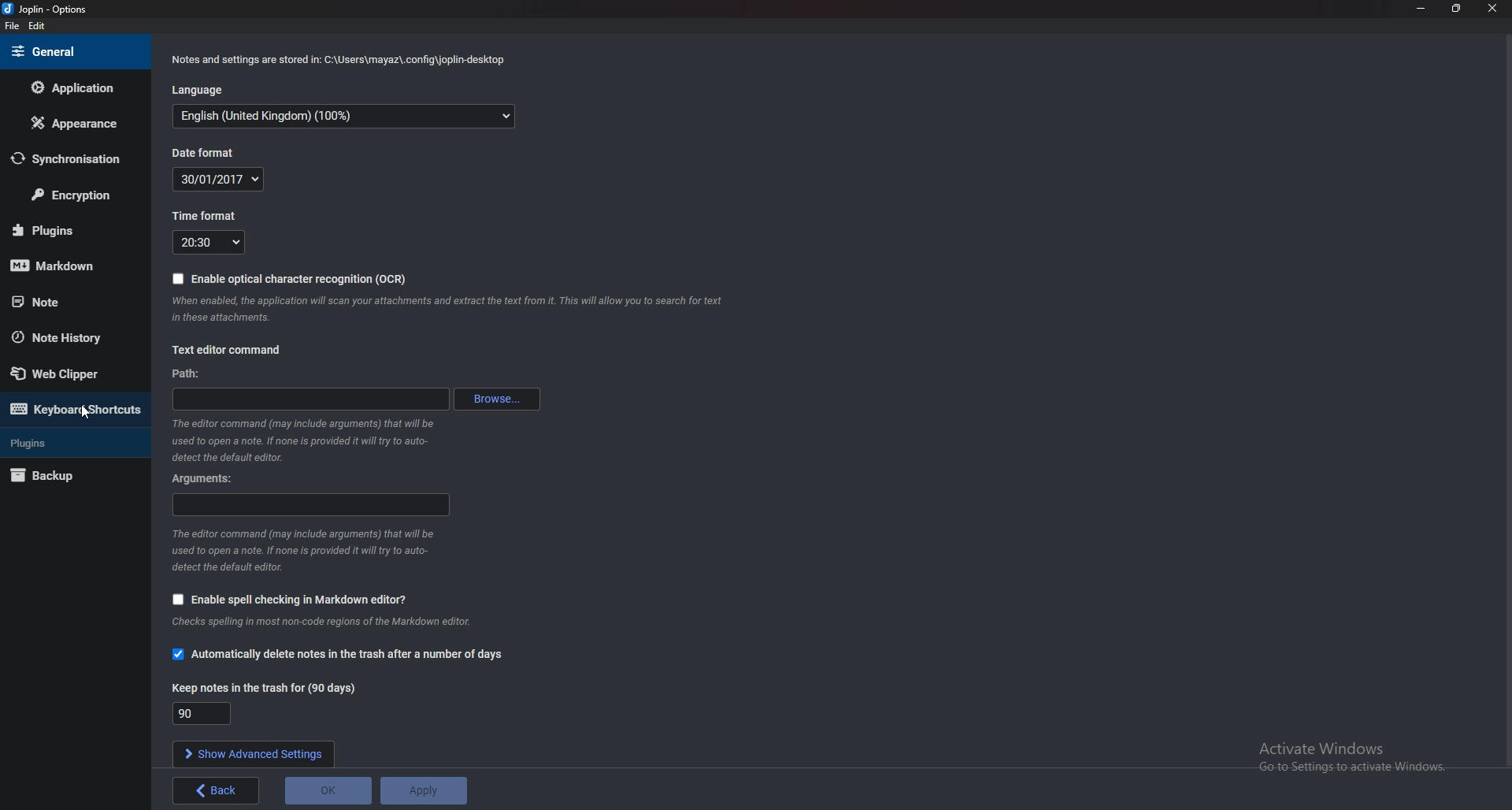 The image size is (1512, 810). I want to click on File, so click(12, 26).